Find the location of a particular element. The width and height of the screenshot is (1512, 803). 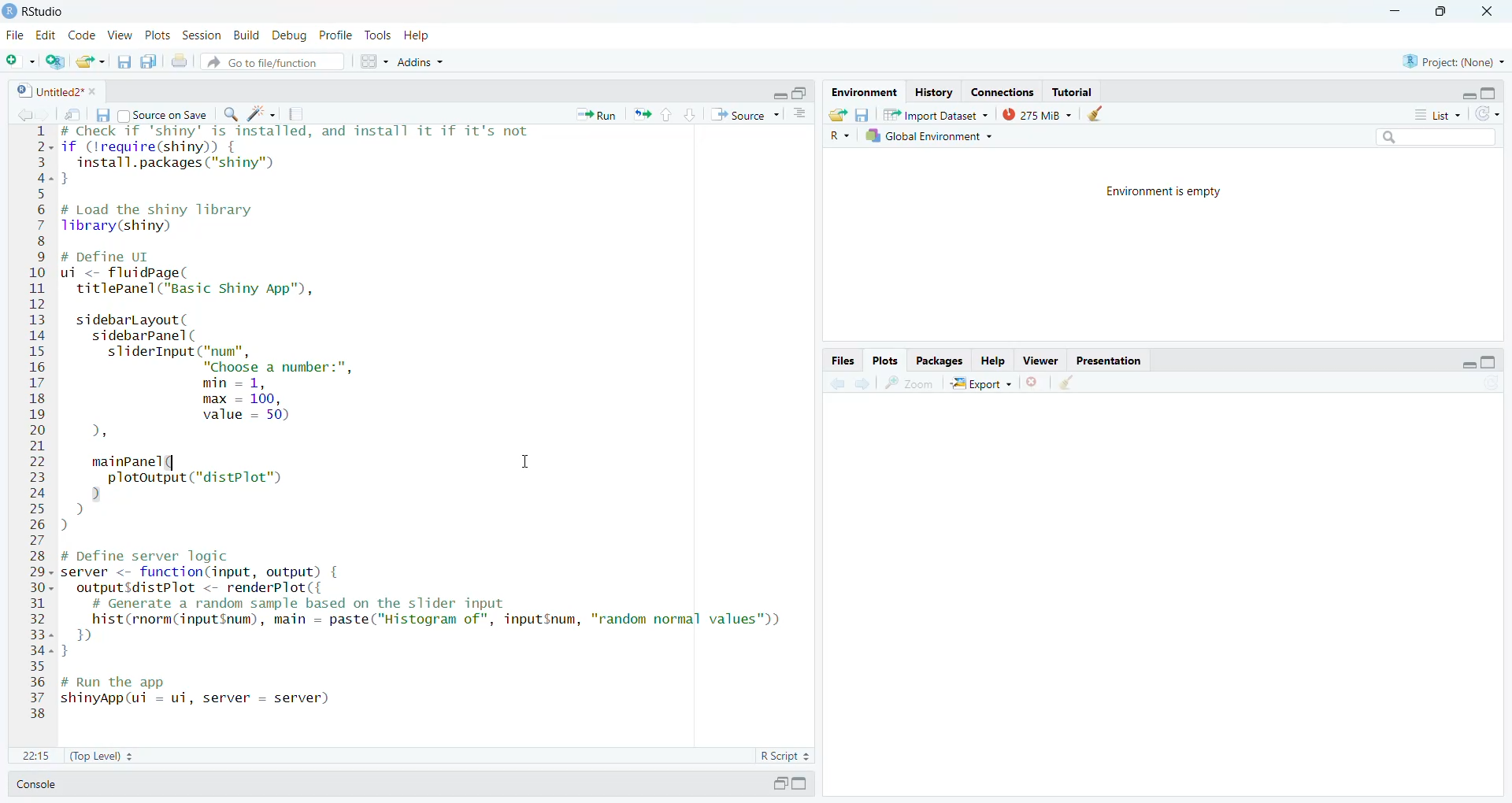

Tutorial is located at coordinates (1071, 92).